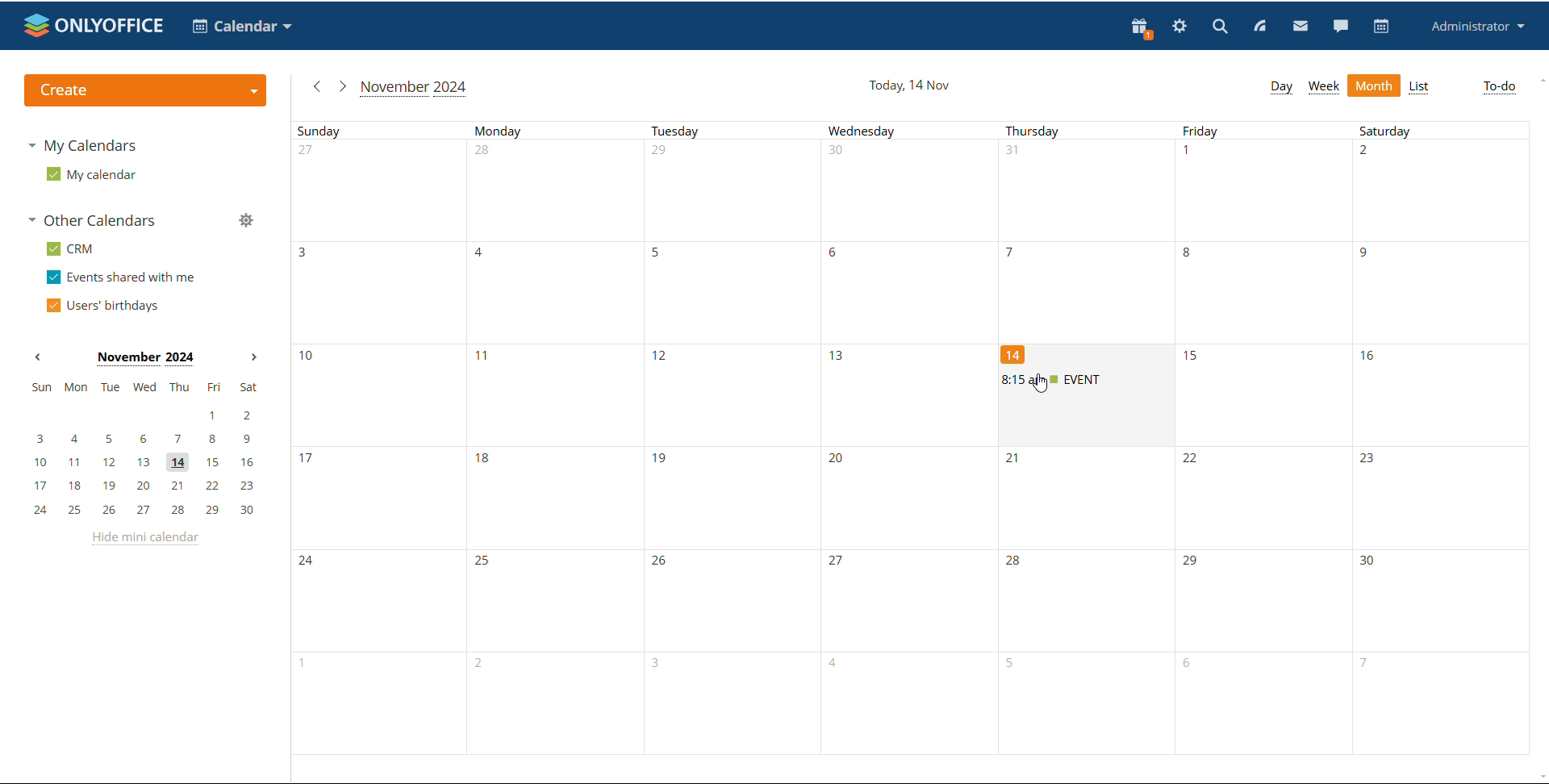 The width and height of the screenshot is (1549, 784). Describe the element at coordinates (103, 306) in the screenshot. I see `users' birthdays` at that location.